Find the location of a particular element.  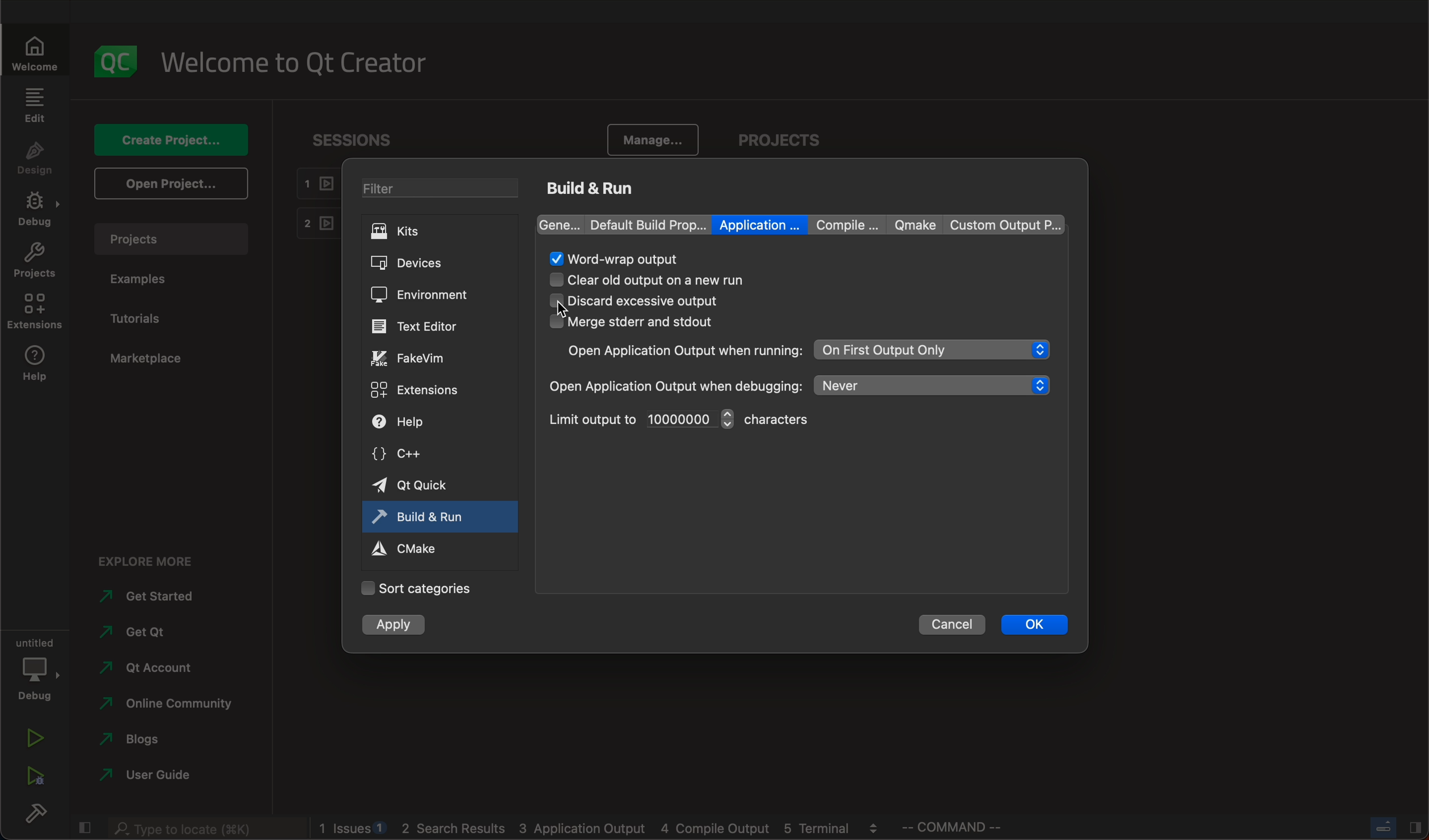

application is located at coordinates (760, 224).